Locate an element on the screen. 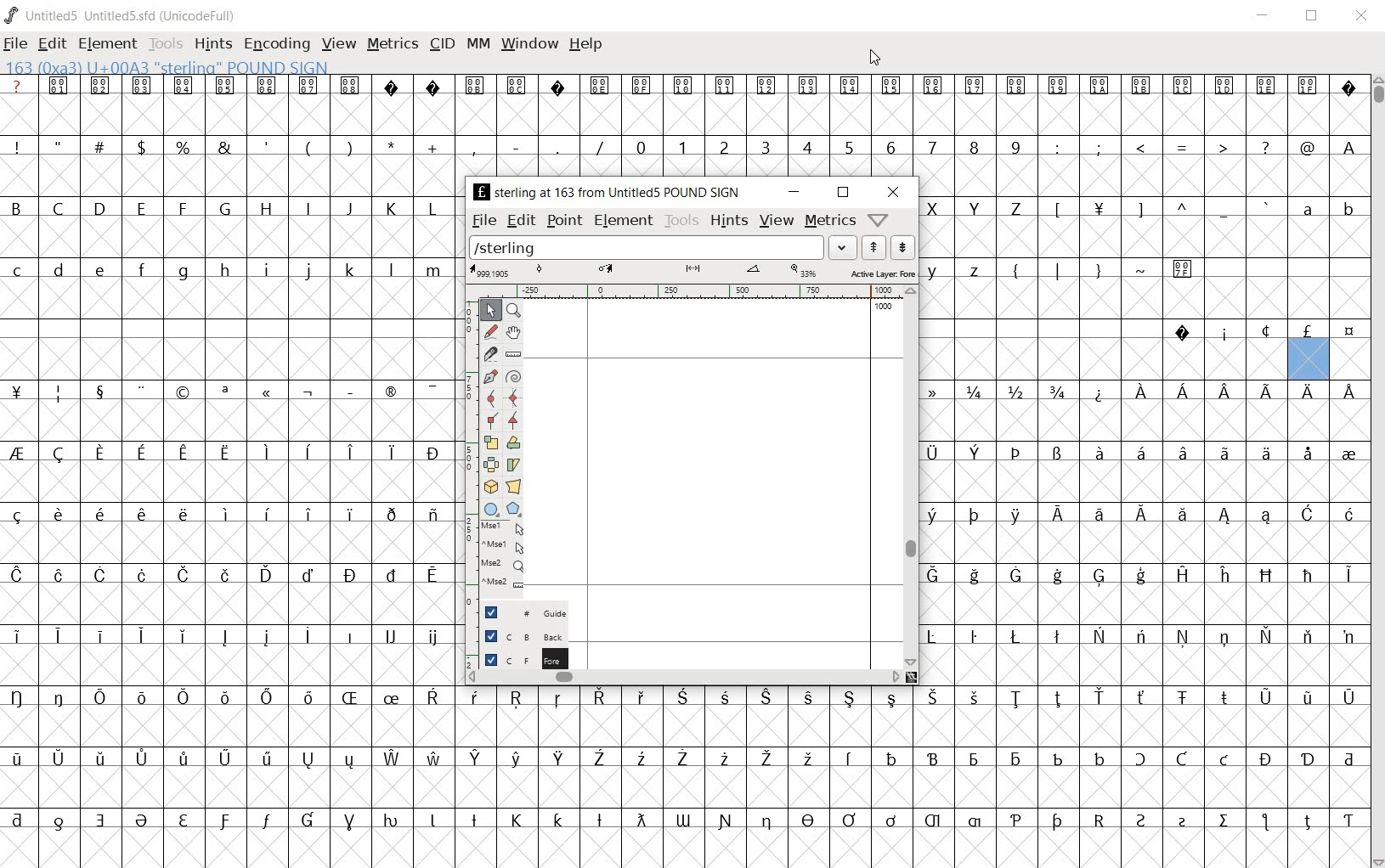  Help/Window is located at coordinates (879, 220).